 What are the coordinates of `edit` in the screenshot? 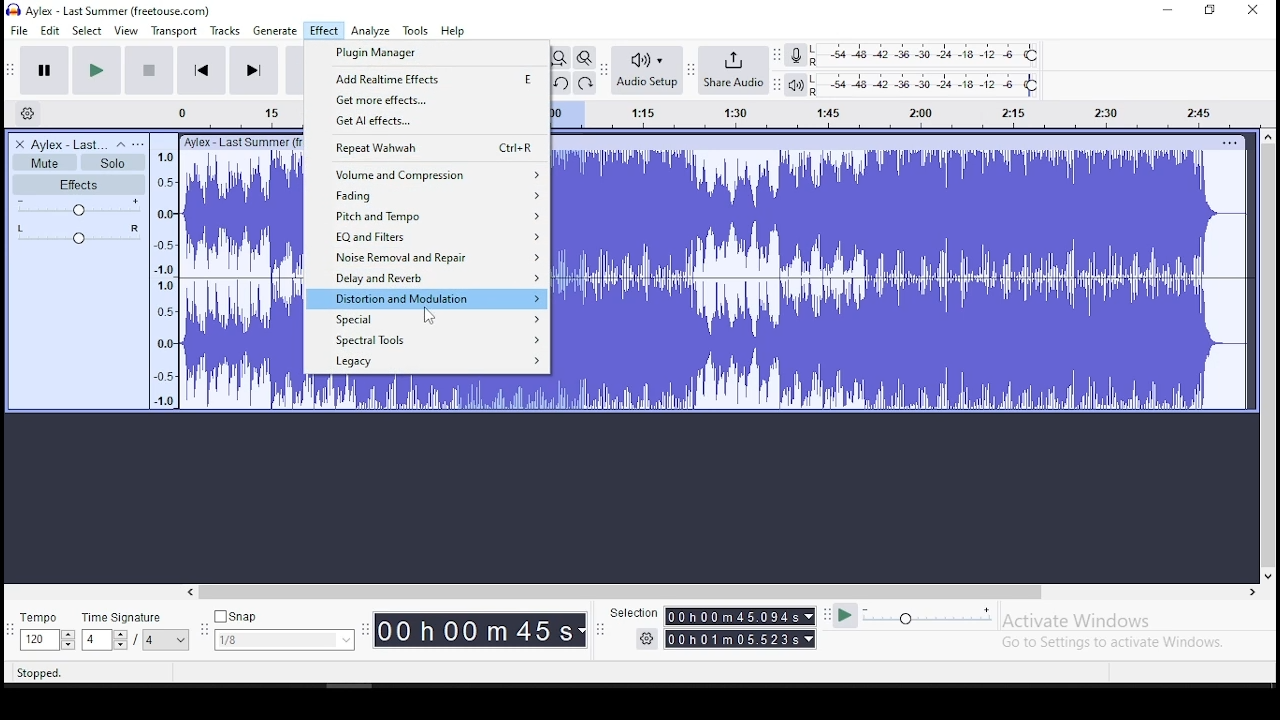 It's located at (50, 31).